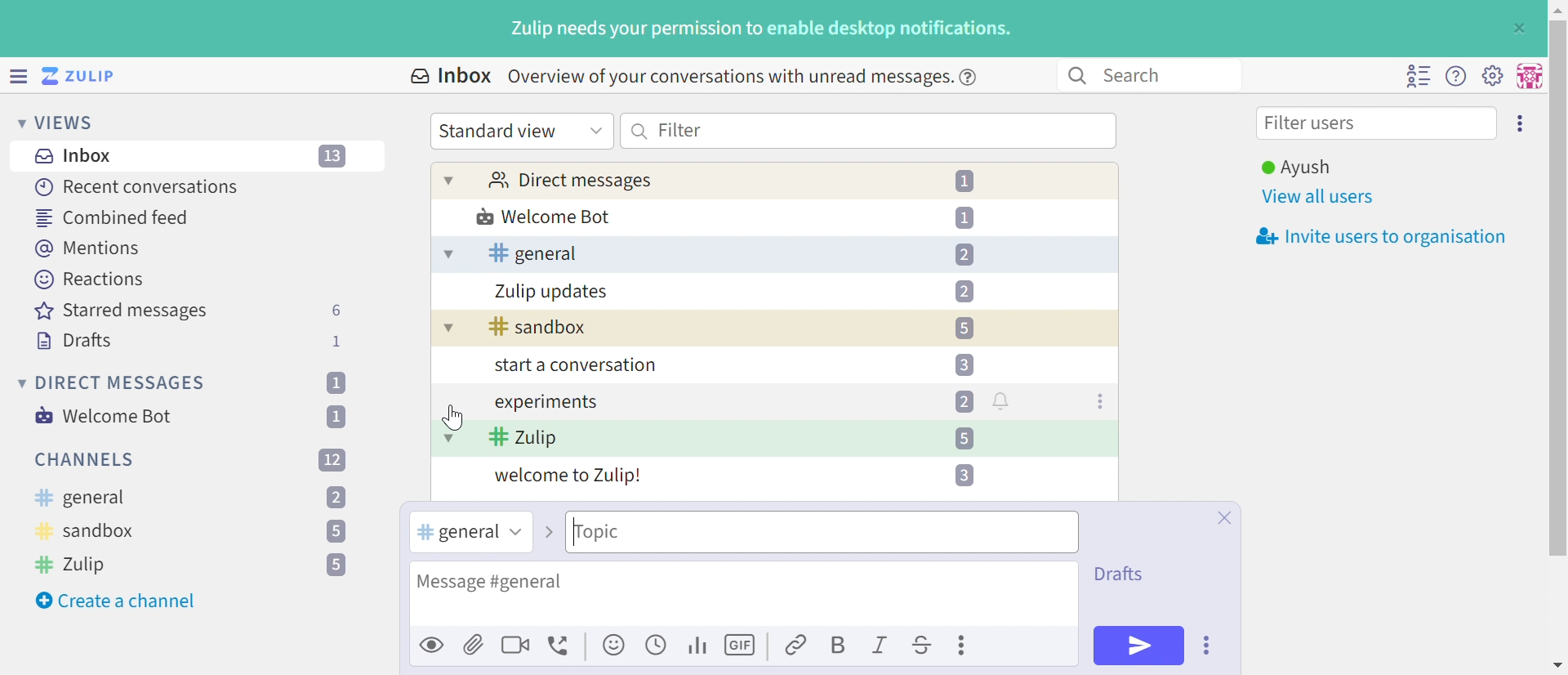 The image size is (1568, 675). What do you see at coordinates (962, 475) in the screenshot?
I see `3` at bounding box center [962, 475].